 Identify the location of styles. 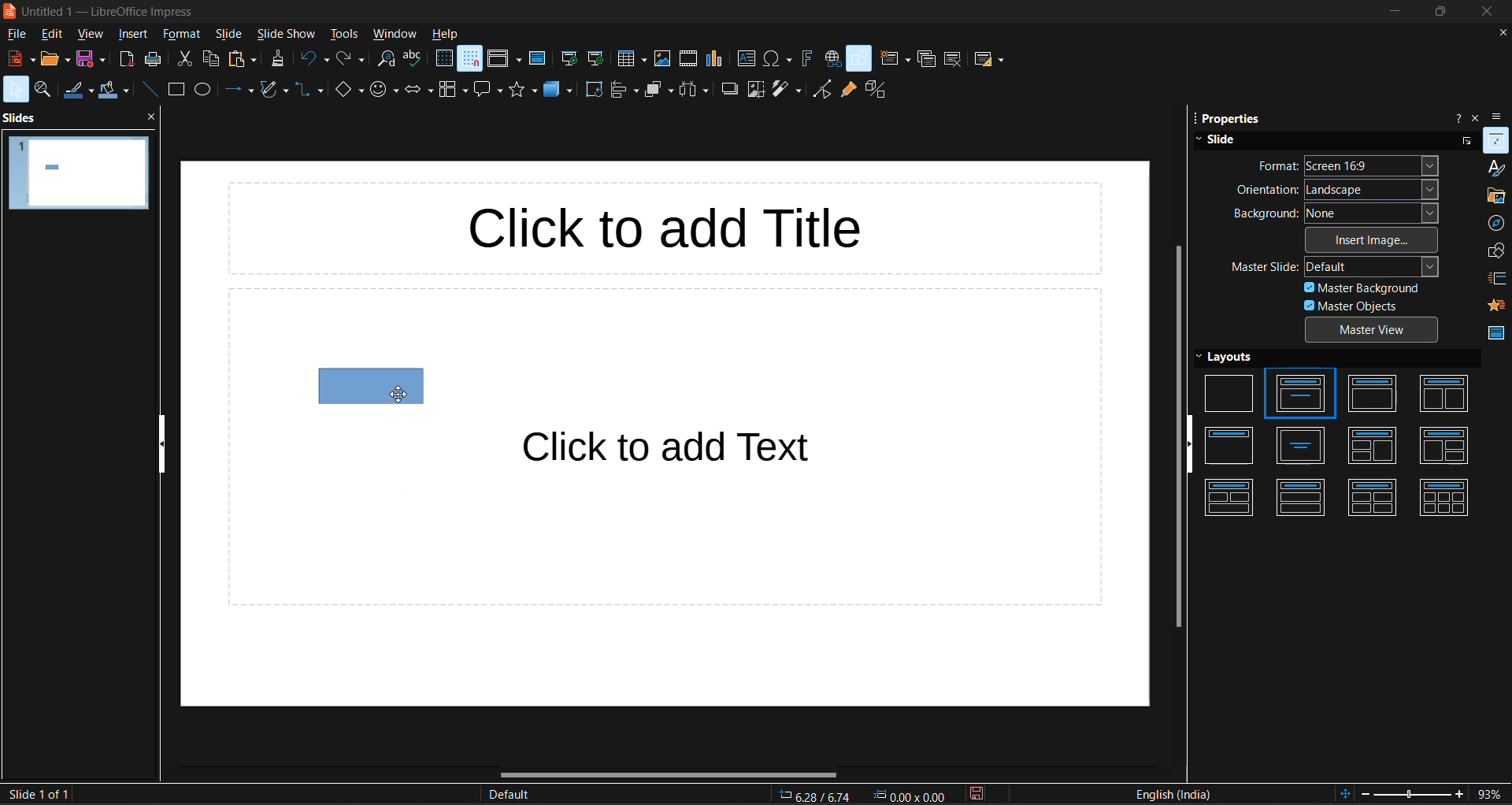
(1497, 168).